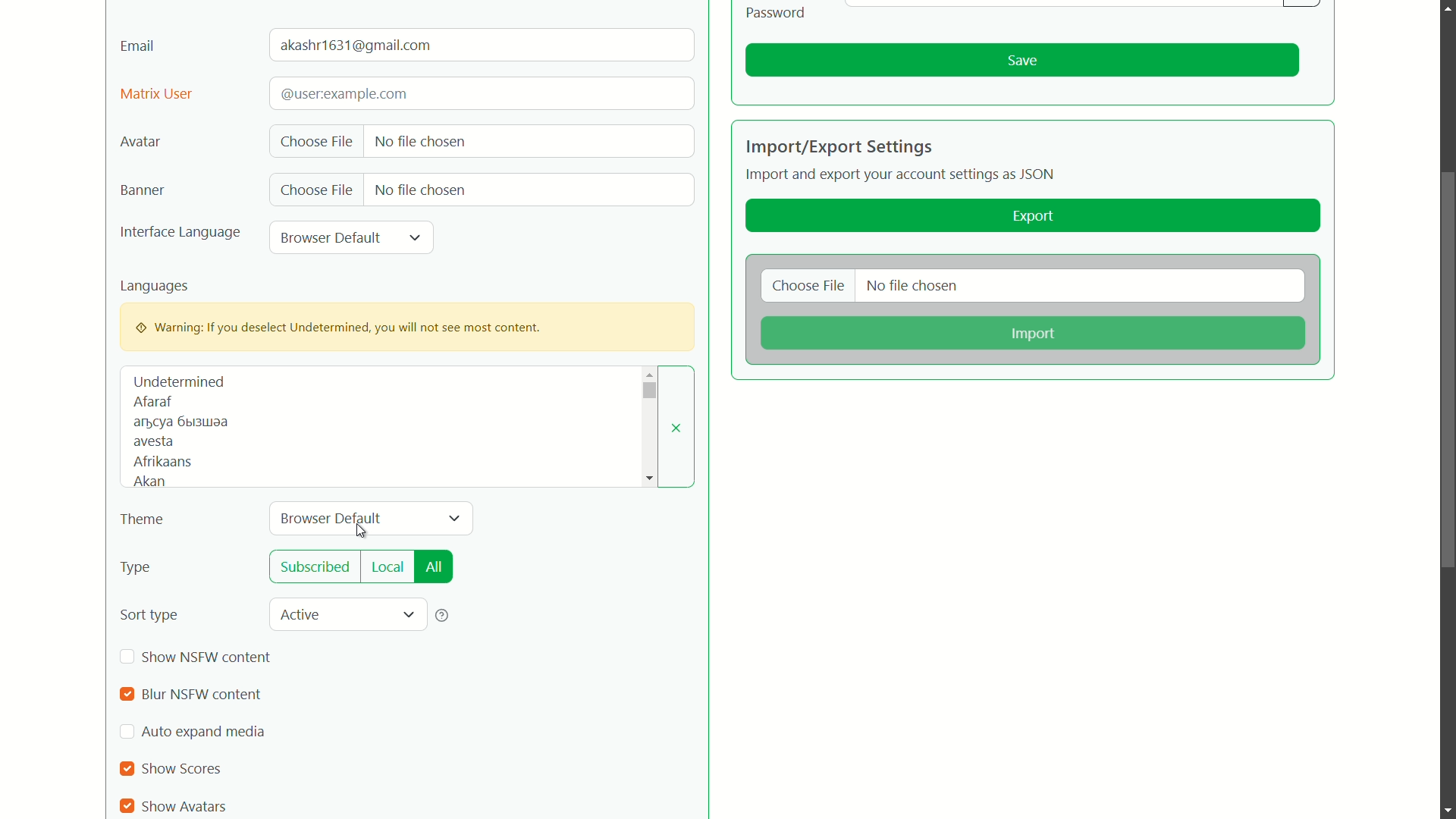 Image resolution: width=1456 pixels, height=819 pixels. What do you see at coordinates (163, 461) in the screenshot?
I see `afrikaans` at bounding box center [163, 461].